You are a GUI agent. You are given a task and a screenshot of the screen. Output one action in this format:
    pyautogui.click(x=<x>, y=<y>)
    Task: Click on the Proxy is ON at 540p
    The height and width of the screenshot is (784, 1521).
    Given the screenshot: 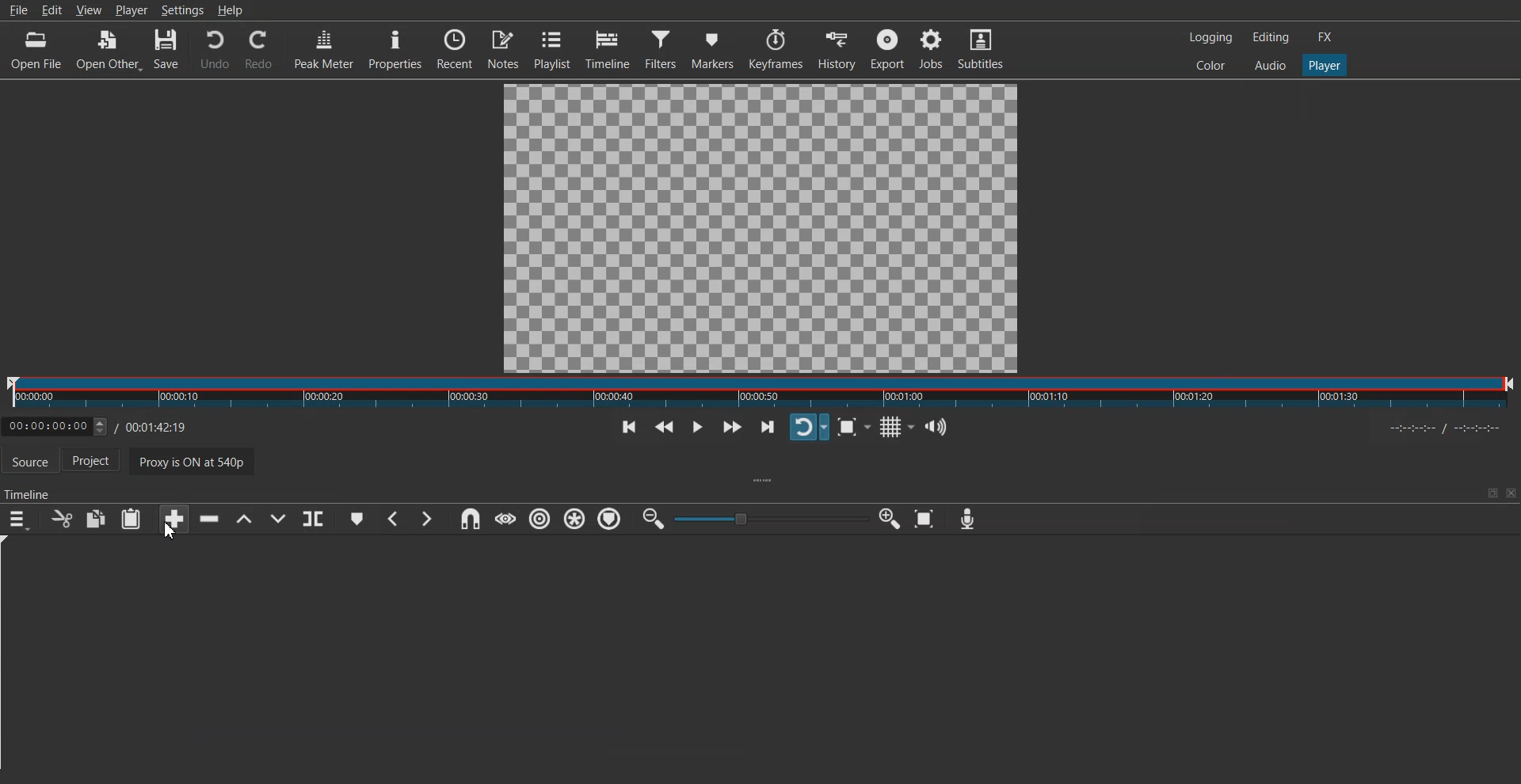 What is the action you would take?
    pyautogui.click(x=202, y=464)
    